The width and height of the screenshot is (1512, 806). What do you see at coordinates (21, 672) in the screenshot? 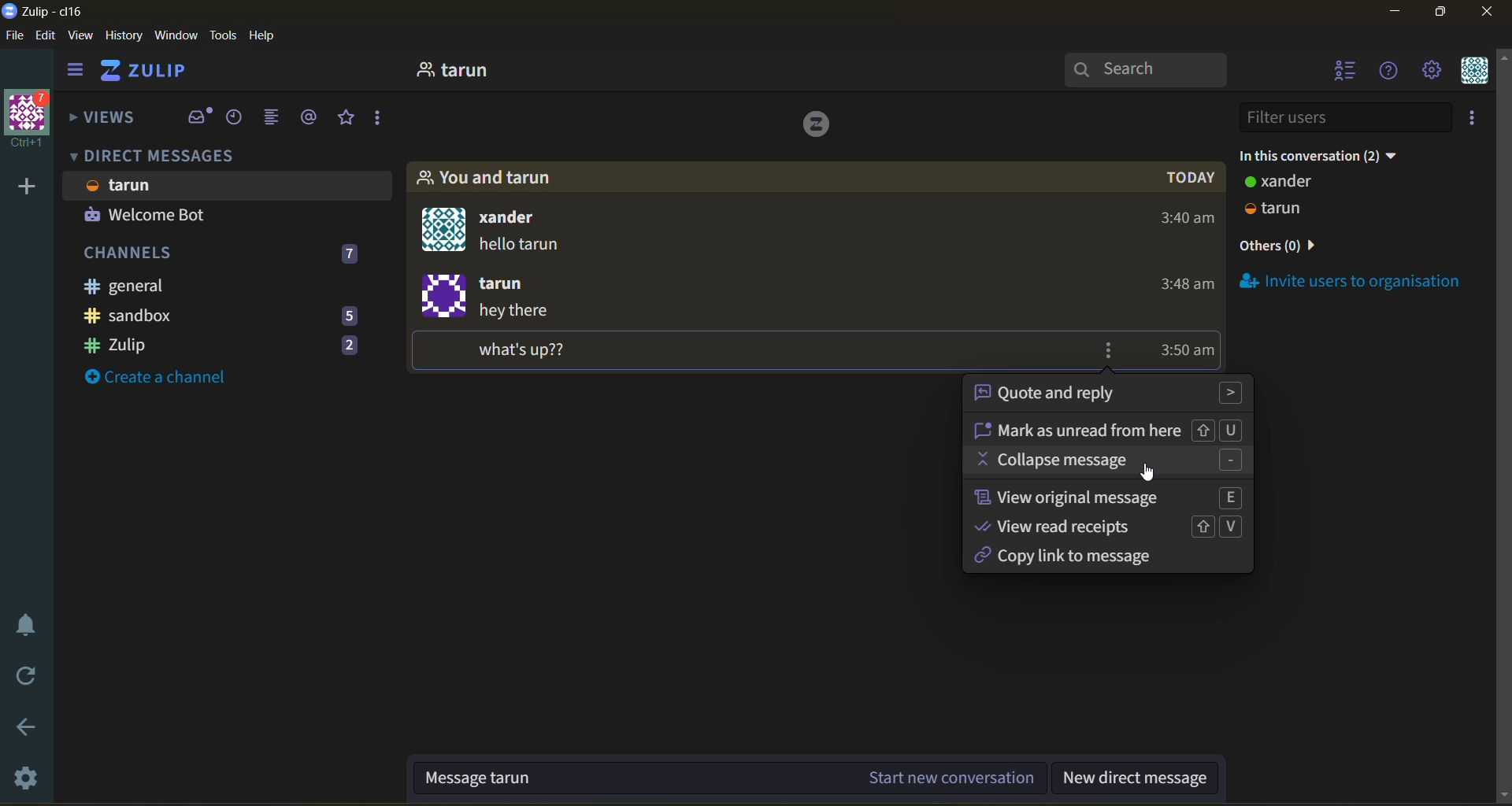
I see `reload` at bounding box center [21, 672].